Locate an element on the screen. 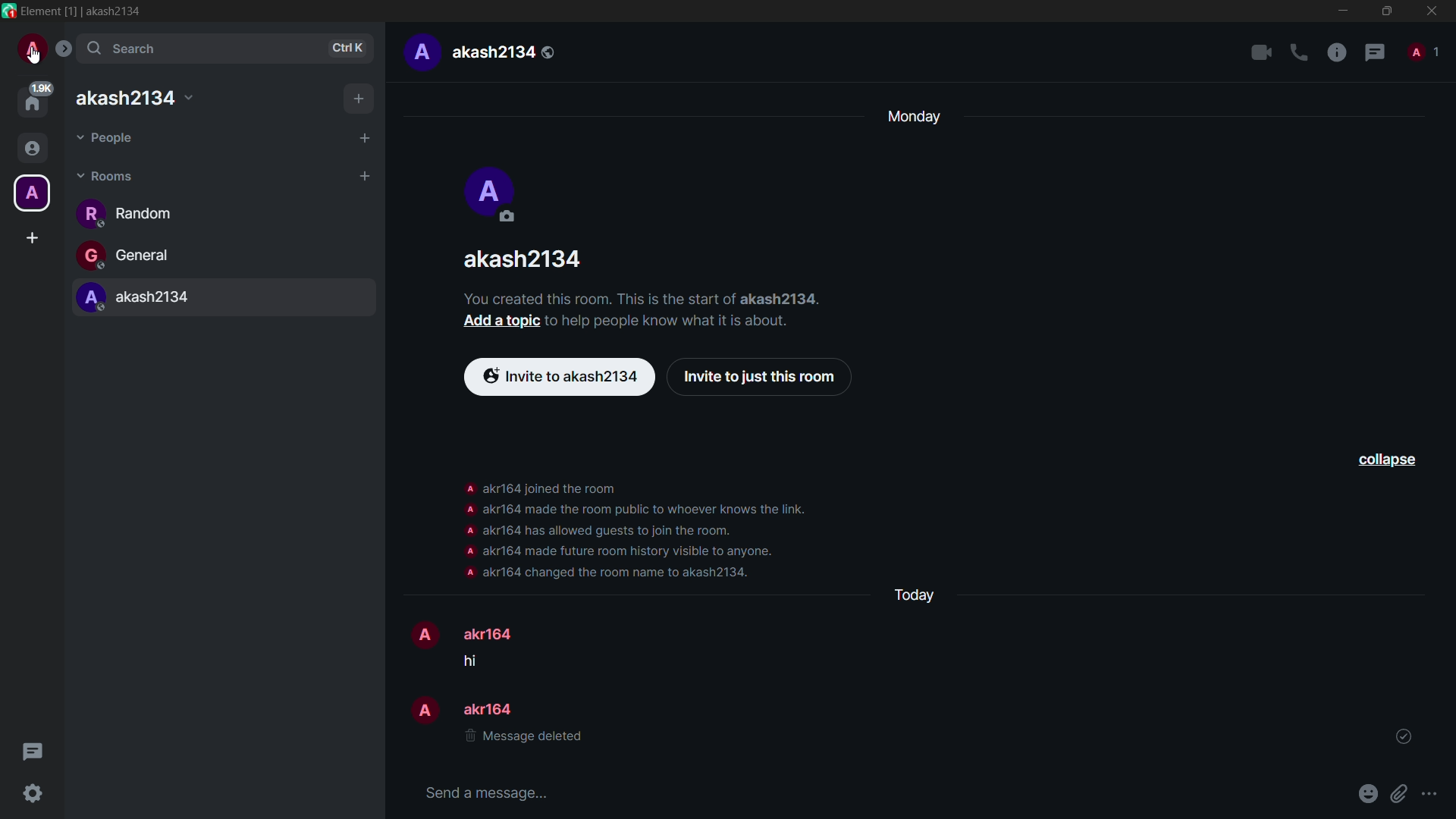 This screenshot has height=819, width=1456. profile is located at coordinates (469, 529).